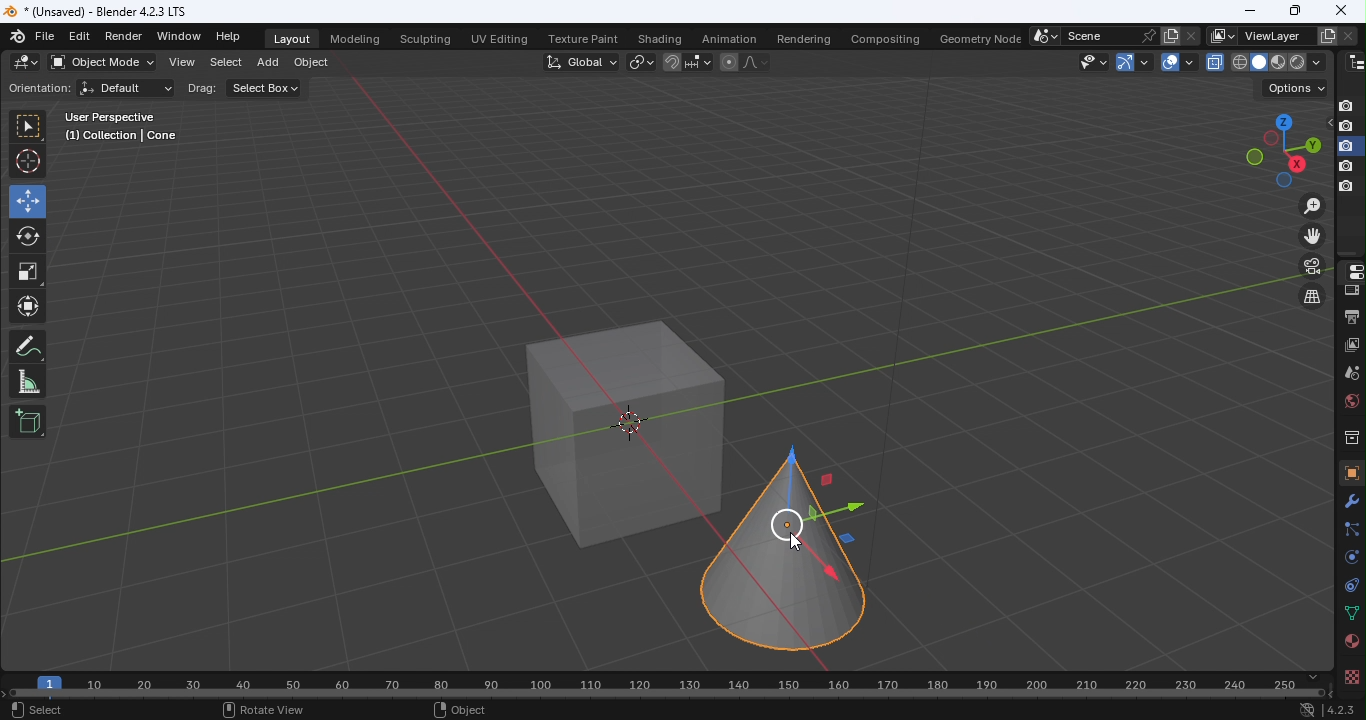  Describe the element at coordinates (1257, 62) in the screenshot. I see `viewpoint shader: solid` at that location.